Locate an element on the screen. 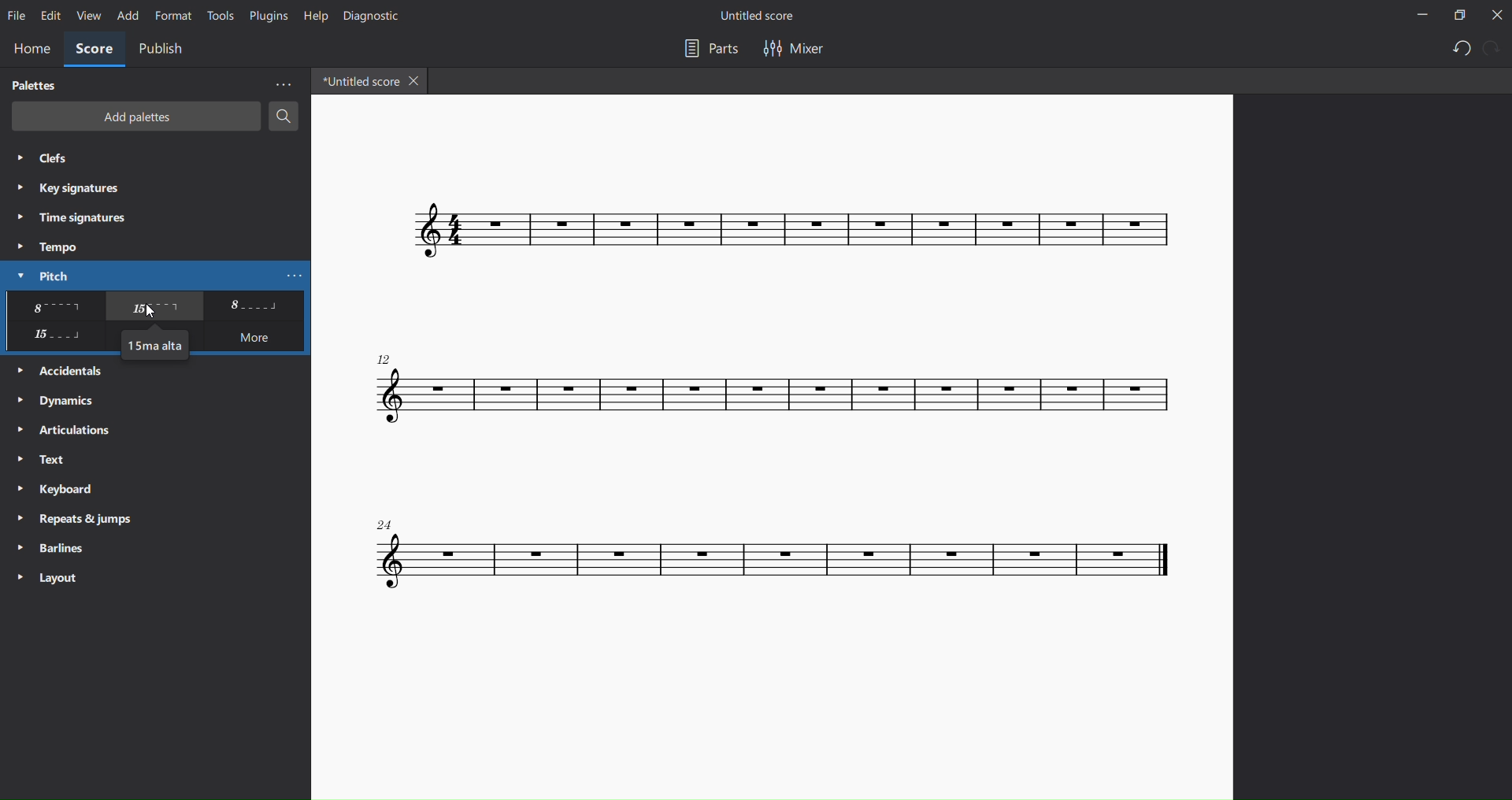  title is located at coordinates (358, 80).